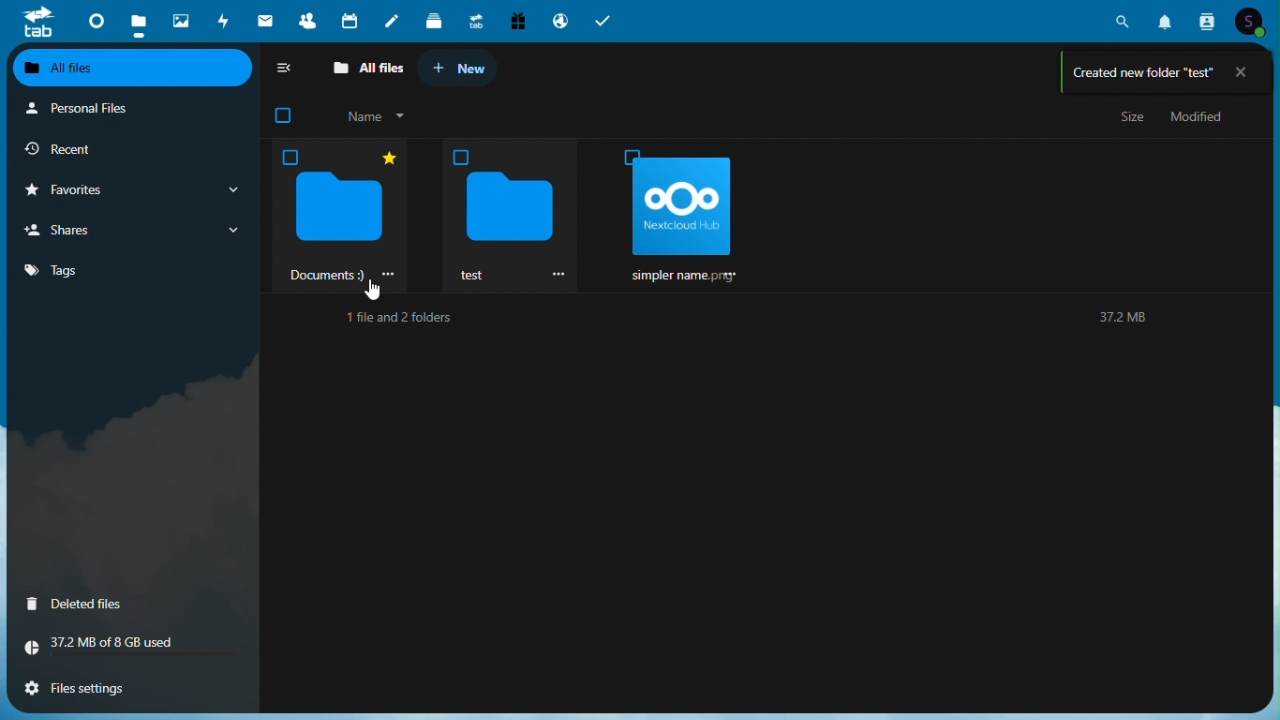 Image resolution: width=1280 pixels, height=720 pixels. I want to click on Calendar, so click(352, 19).